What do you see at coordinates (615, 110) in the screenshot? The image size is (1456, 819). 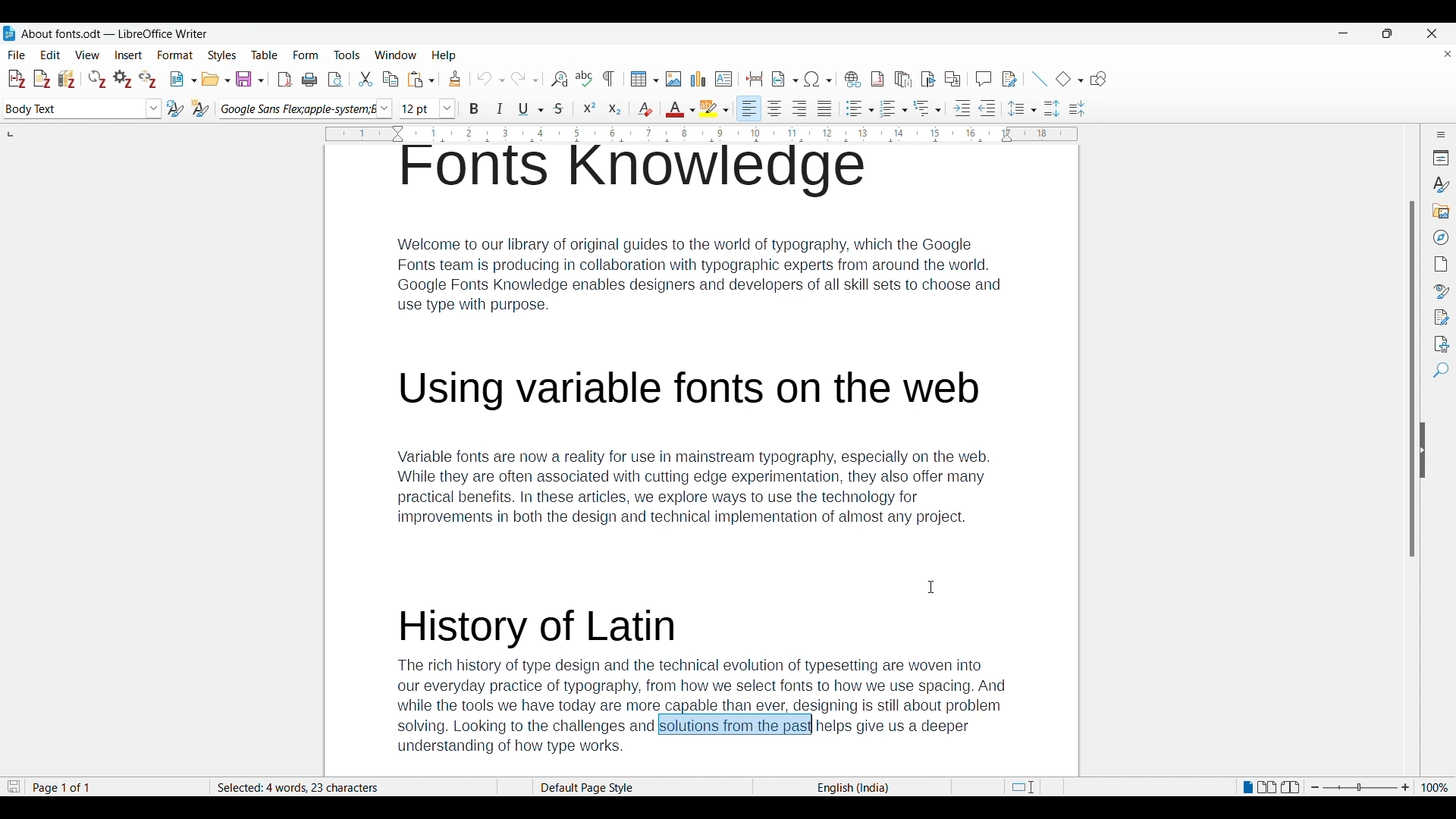 I see `Subscript` at bounding box center [615, 110].